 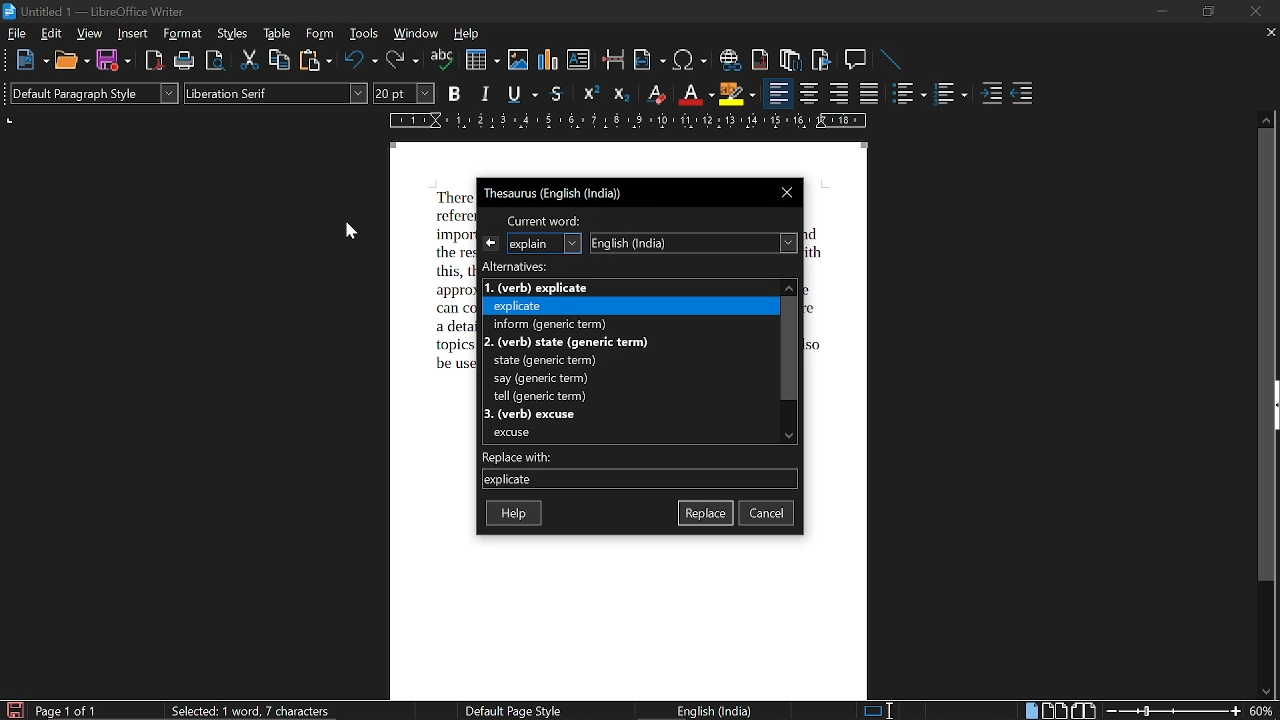 What do you see at coordinates (910, 94) in the screenshot?
I see `toggle ordered list` at bounding box center [910, 94].